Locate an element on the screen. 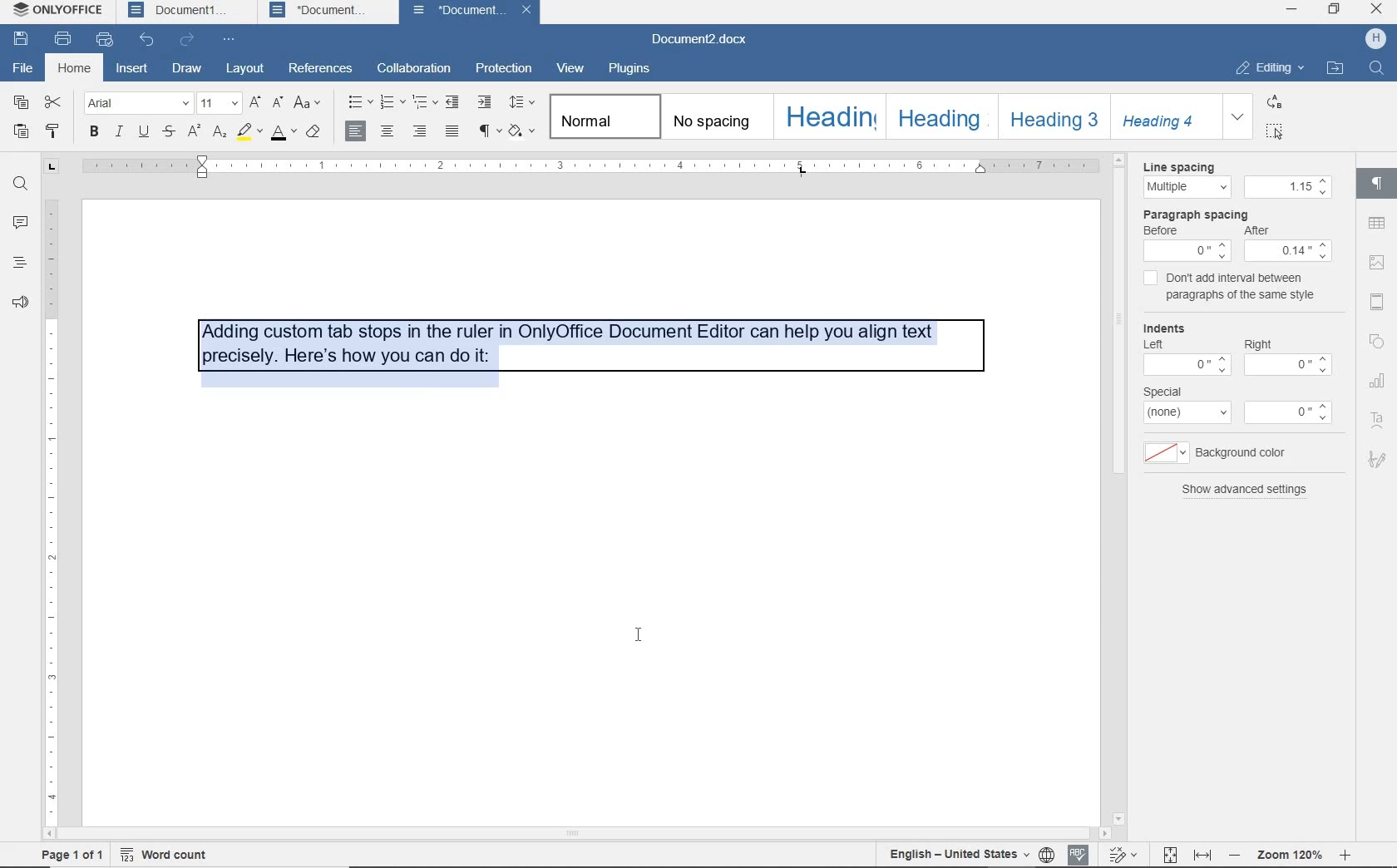   is located at coordinates (1289, 251).